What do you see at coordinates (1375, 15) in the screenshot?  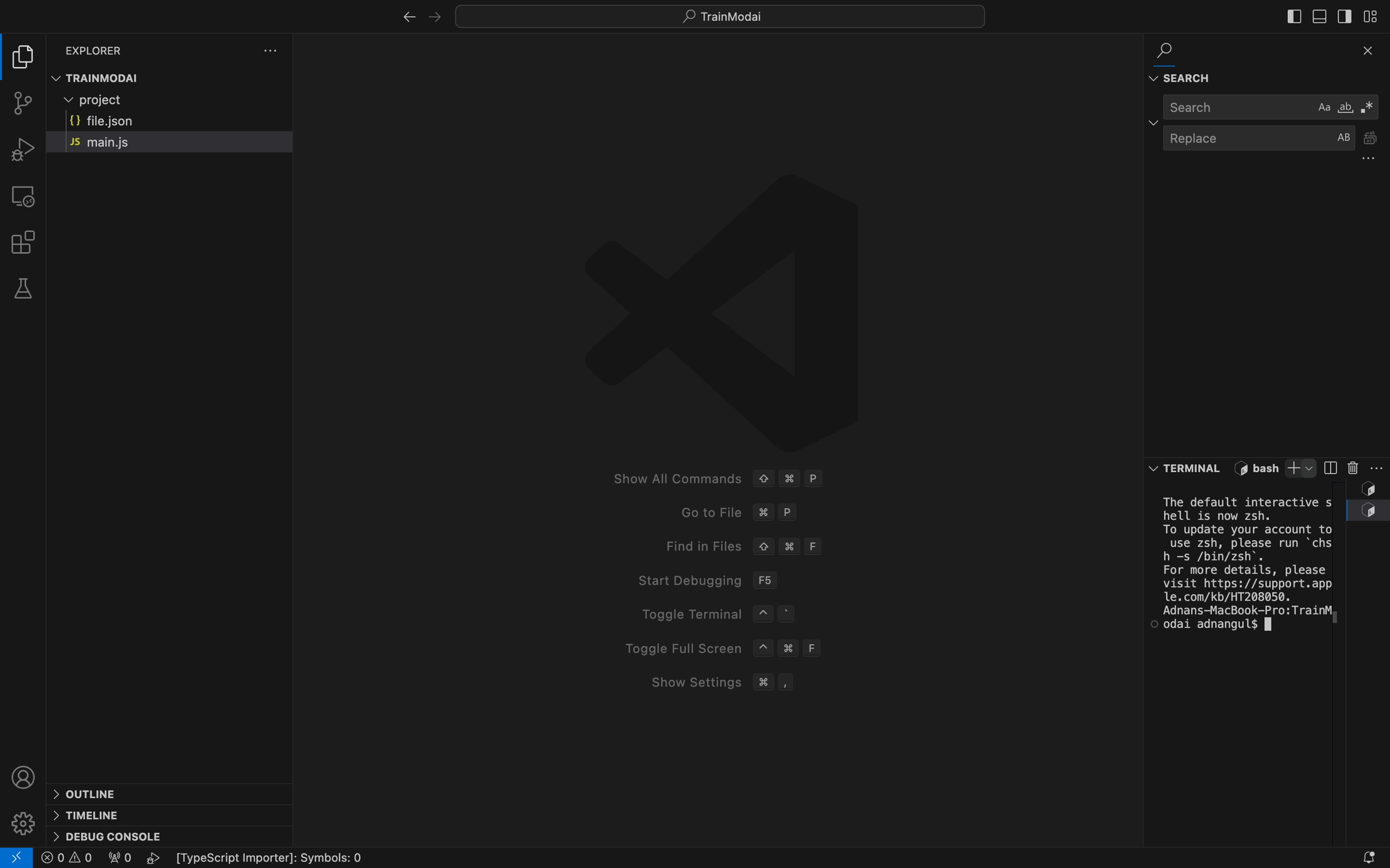 I see `layout` at bounding box center [1375, 15].